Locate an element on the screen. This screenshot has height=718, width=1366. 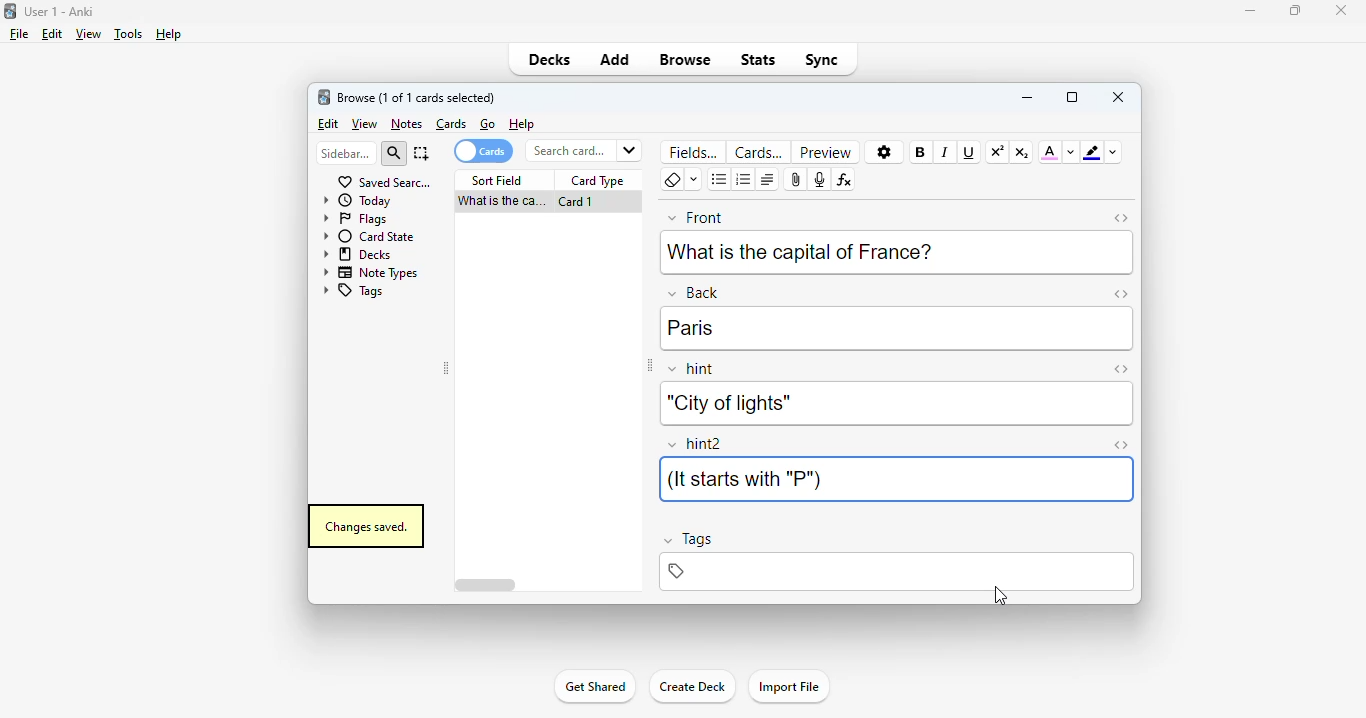
what is the capital of France? is located at coordinates (800, 250).